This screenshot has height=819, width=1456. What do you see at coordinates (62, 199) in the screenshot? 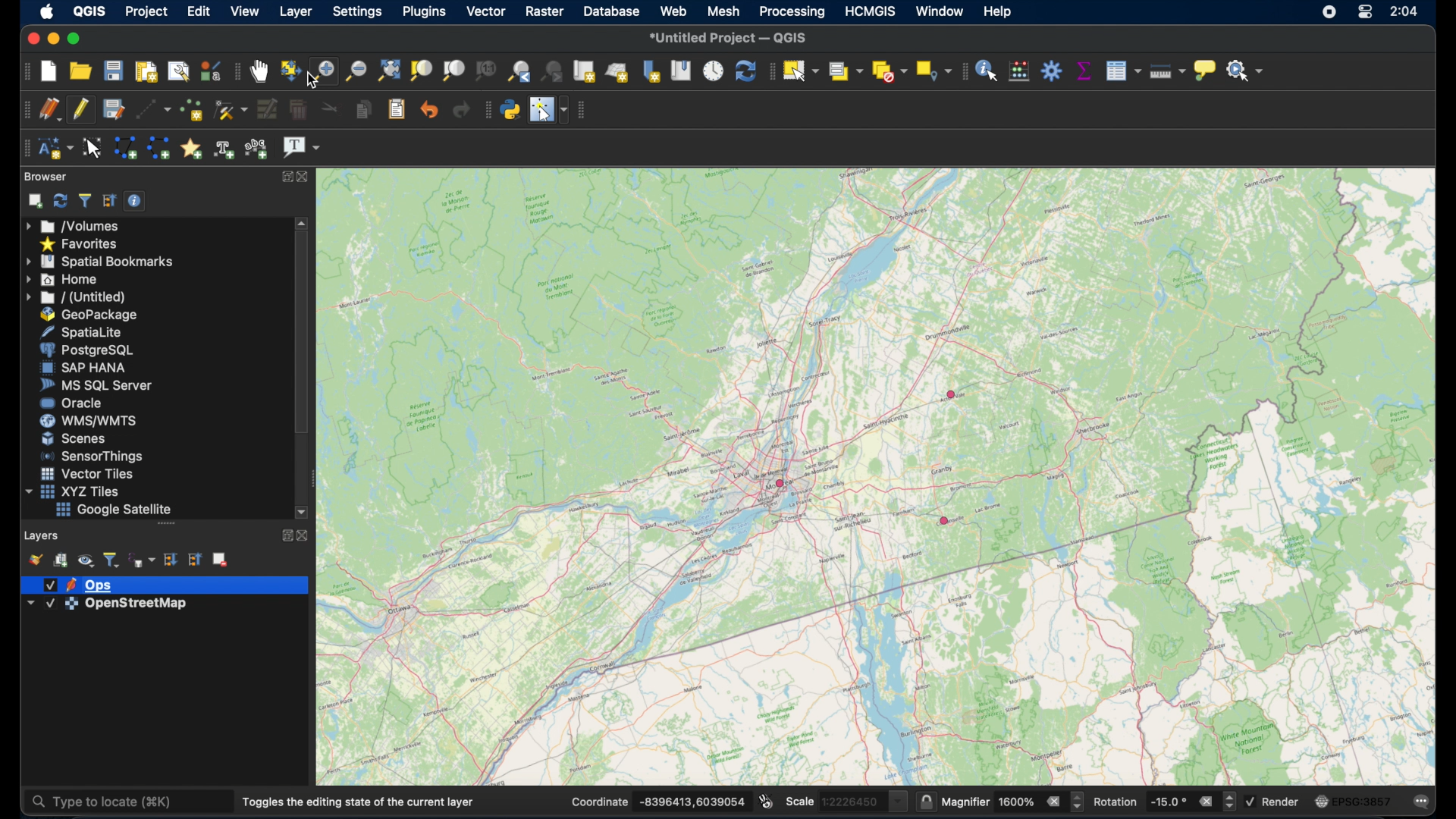
I see `refresh` at bounding box center [62, 199].